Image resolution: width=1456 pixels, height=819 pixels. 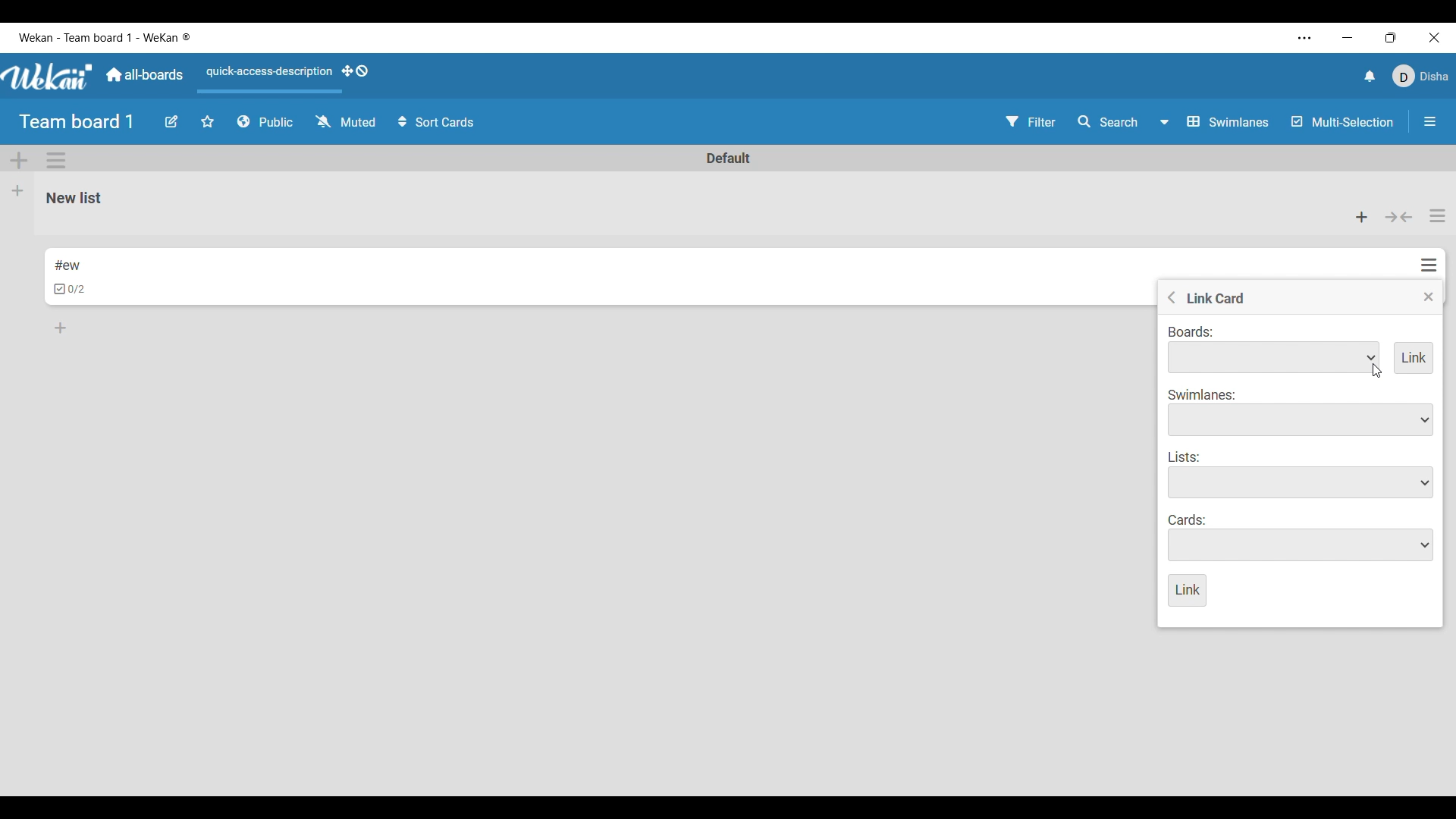 I want to click on Filter, so click(x=1031, y=121).